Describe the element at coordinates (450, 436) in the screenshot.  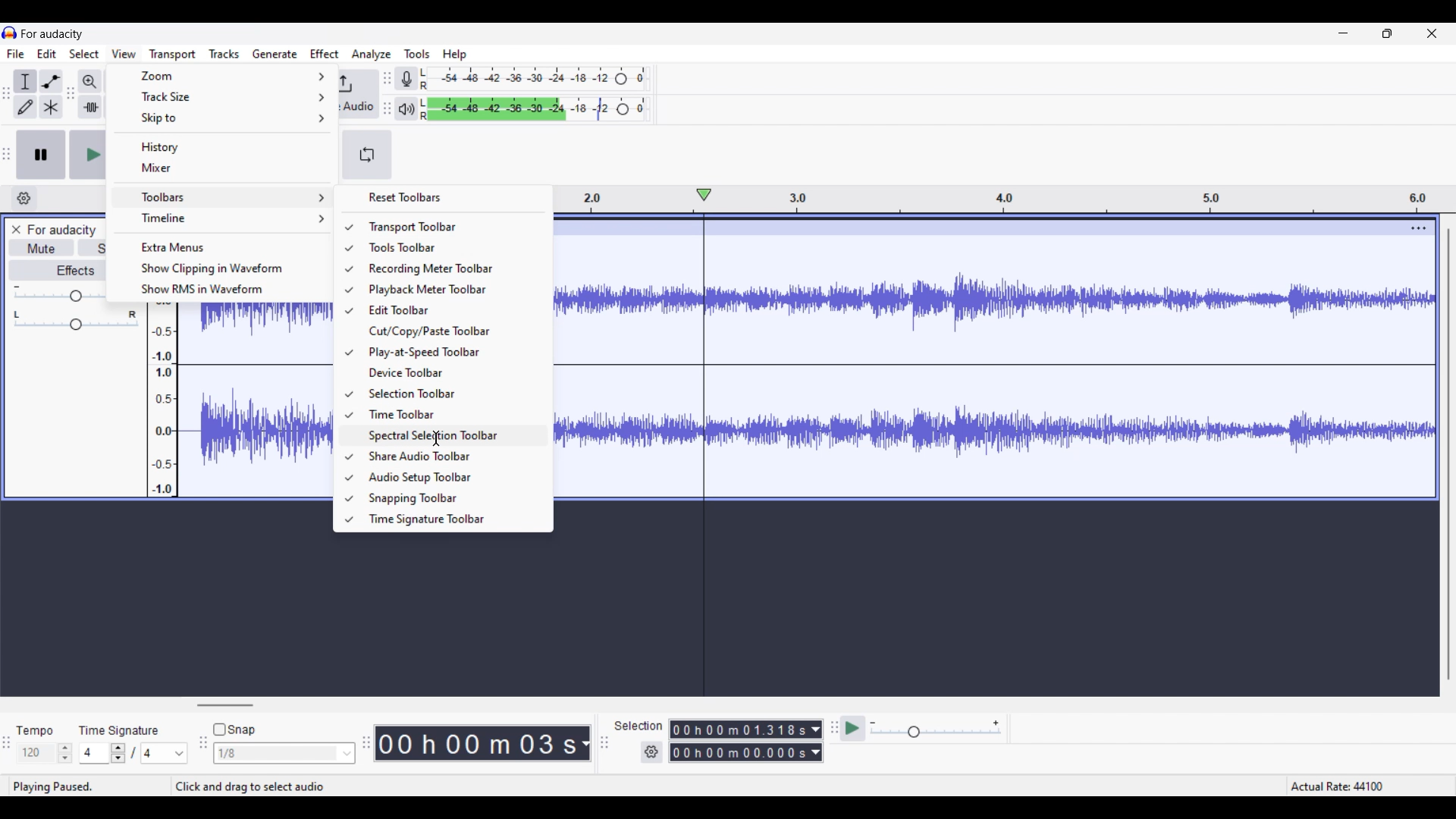
I see `Spectral selection toolbar` at that location.